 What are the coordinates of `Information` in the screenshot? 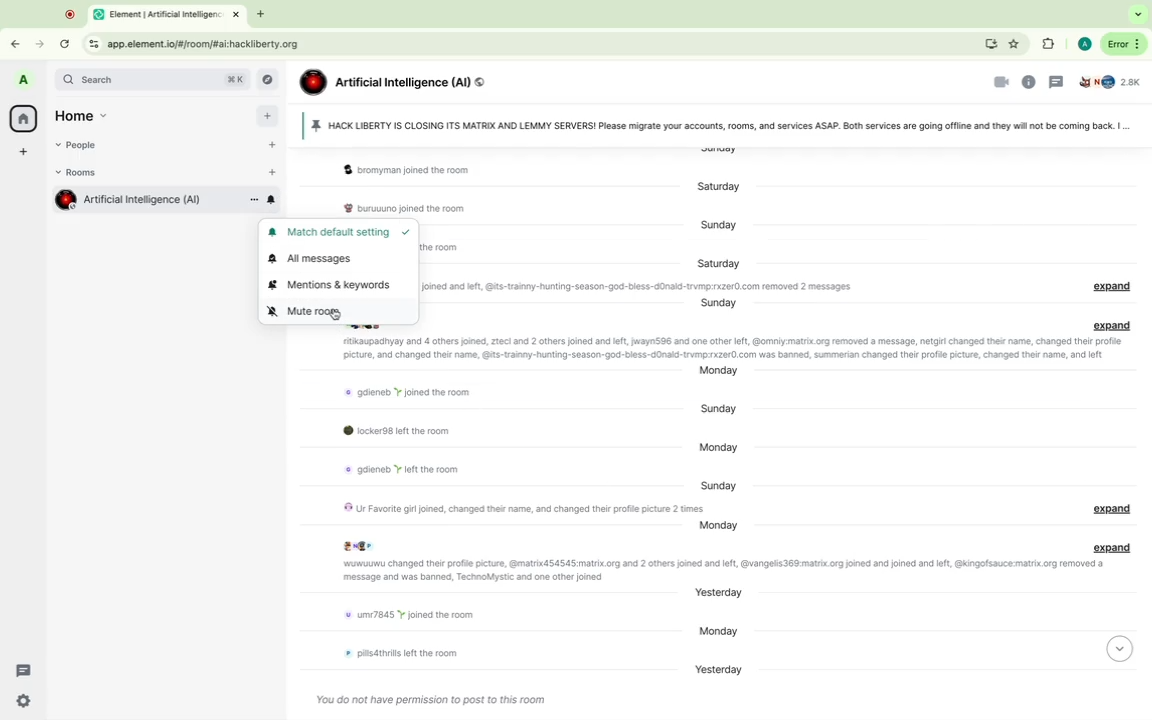 It's located at (1030, 82).